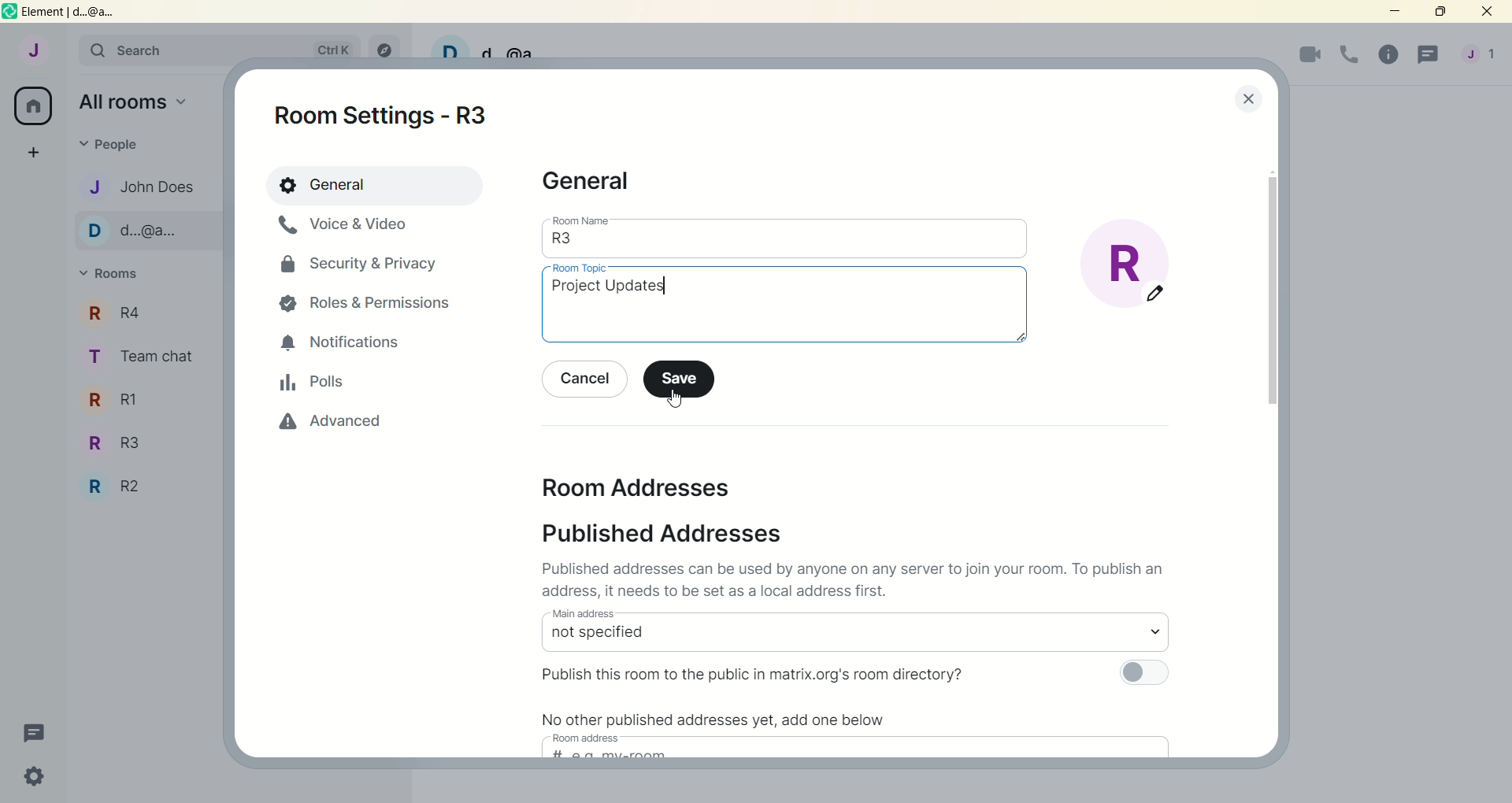 The height and width of the screenshot is (803, 1512). I want to click on R2, so click(144, 483).